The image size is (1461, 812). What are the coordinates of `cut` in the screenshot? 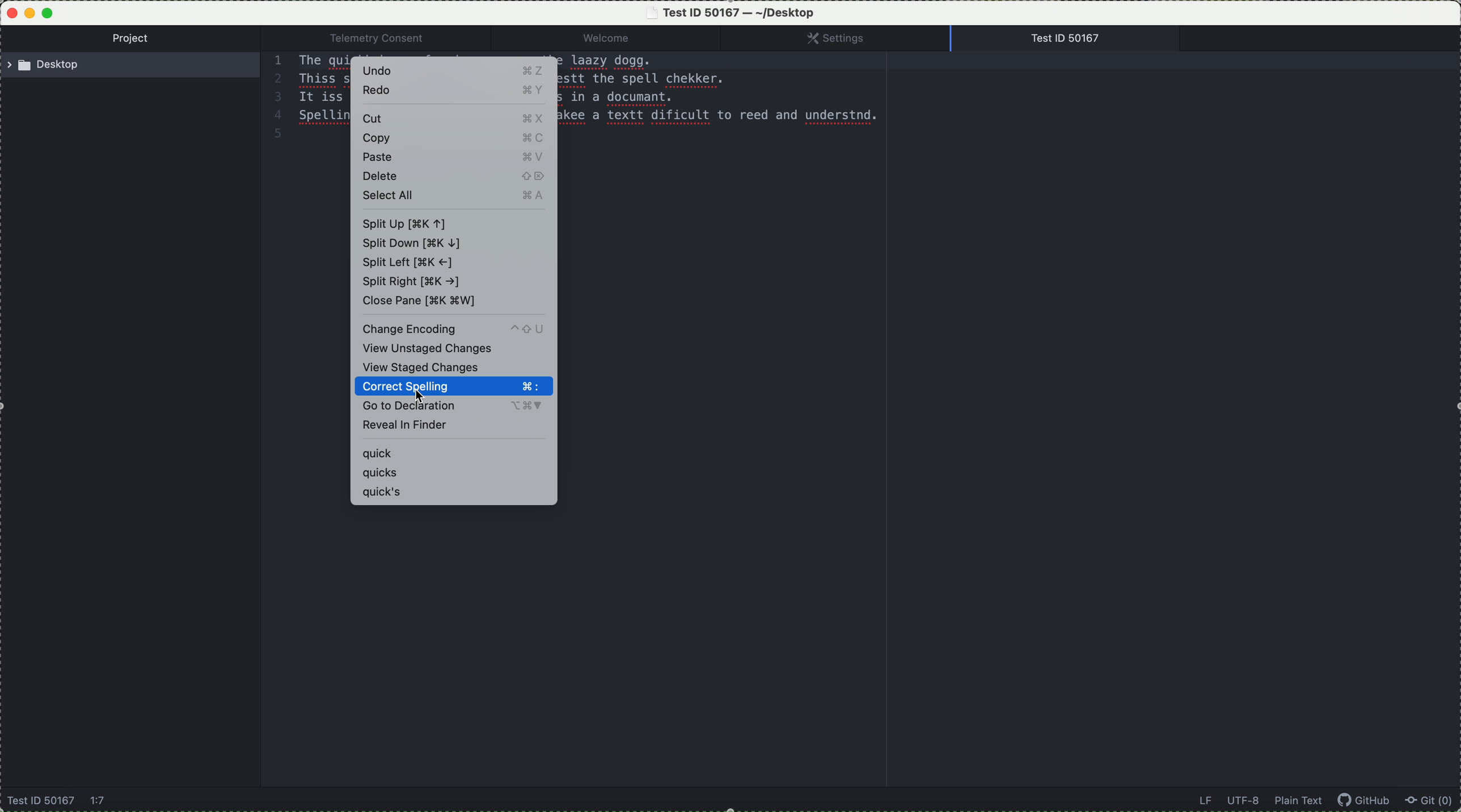 It's located at (454, 117).